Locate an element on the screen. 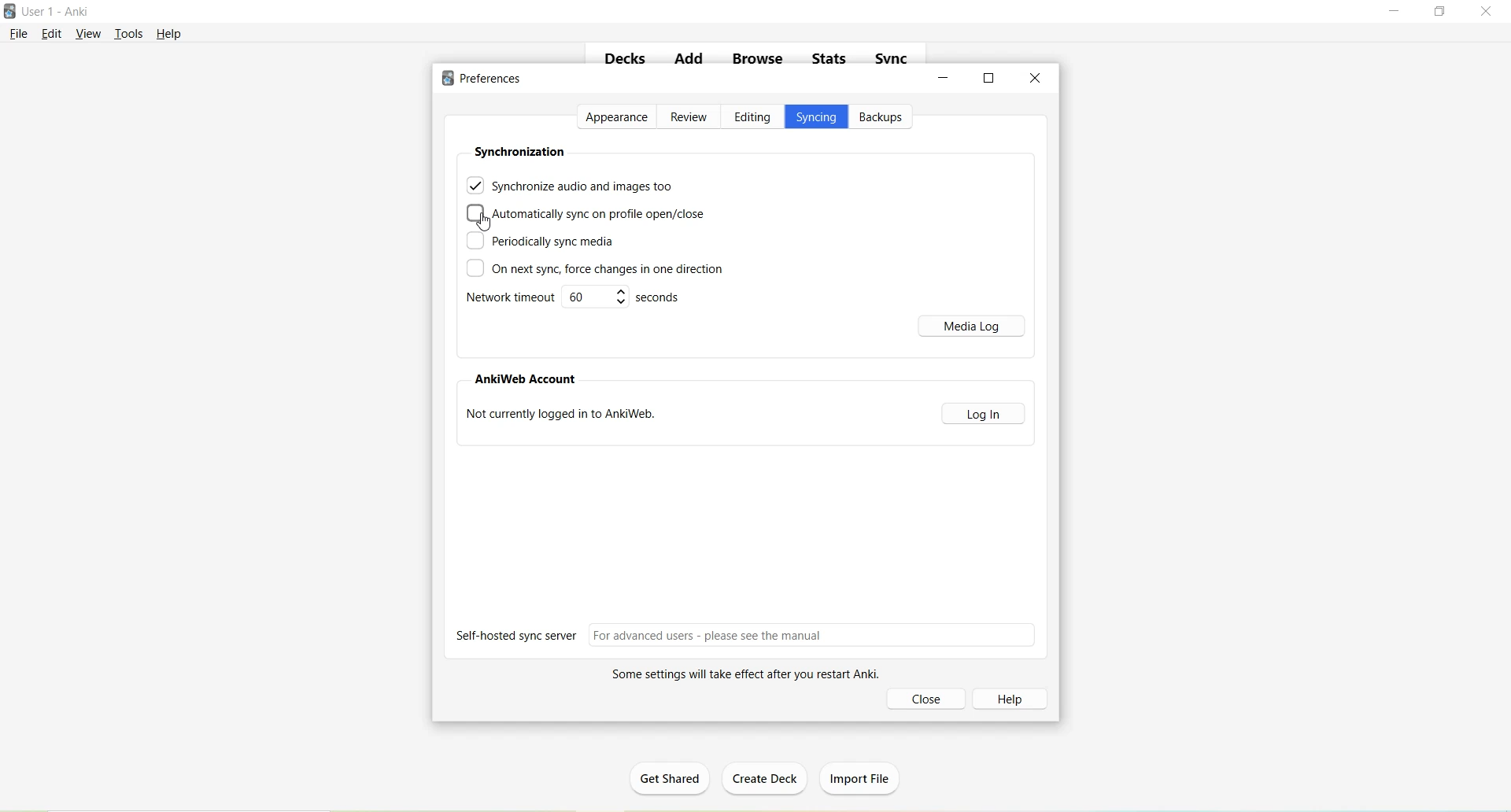 The image size is (1511, 812). Browse is located at coordinates (759, 59).